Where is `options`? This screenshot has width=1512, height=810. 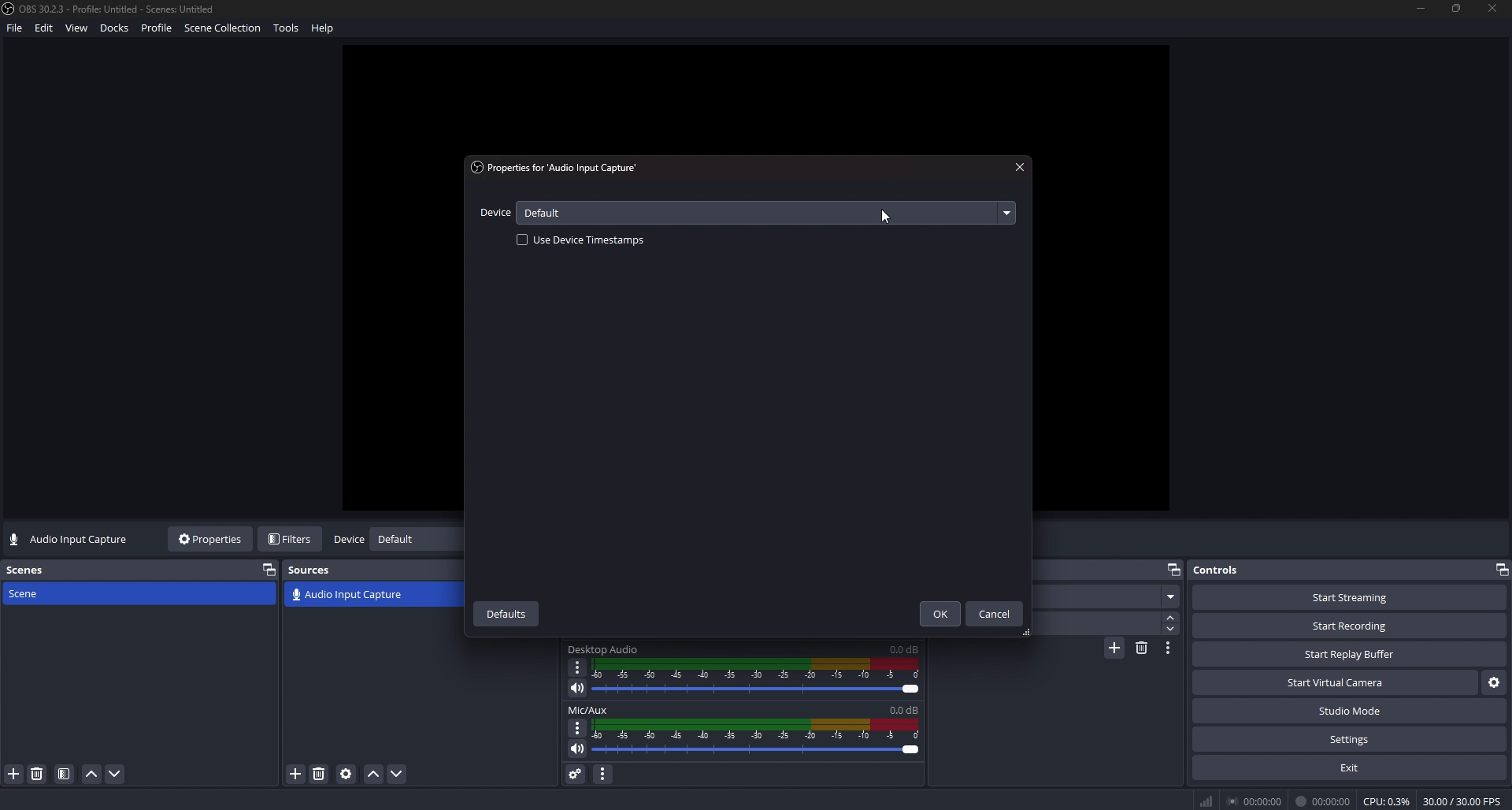
options is located at coordinates (577, 667).